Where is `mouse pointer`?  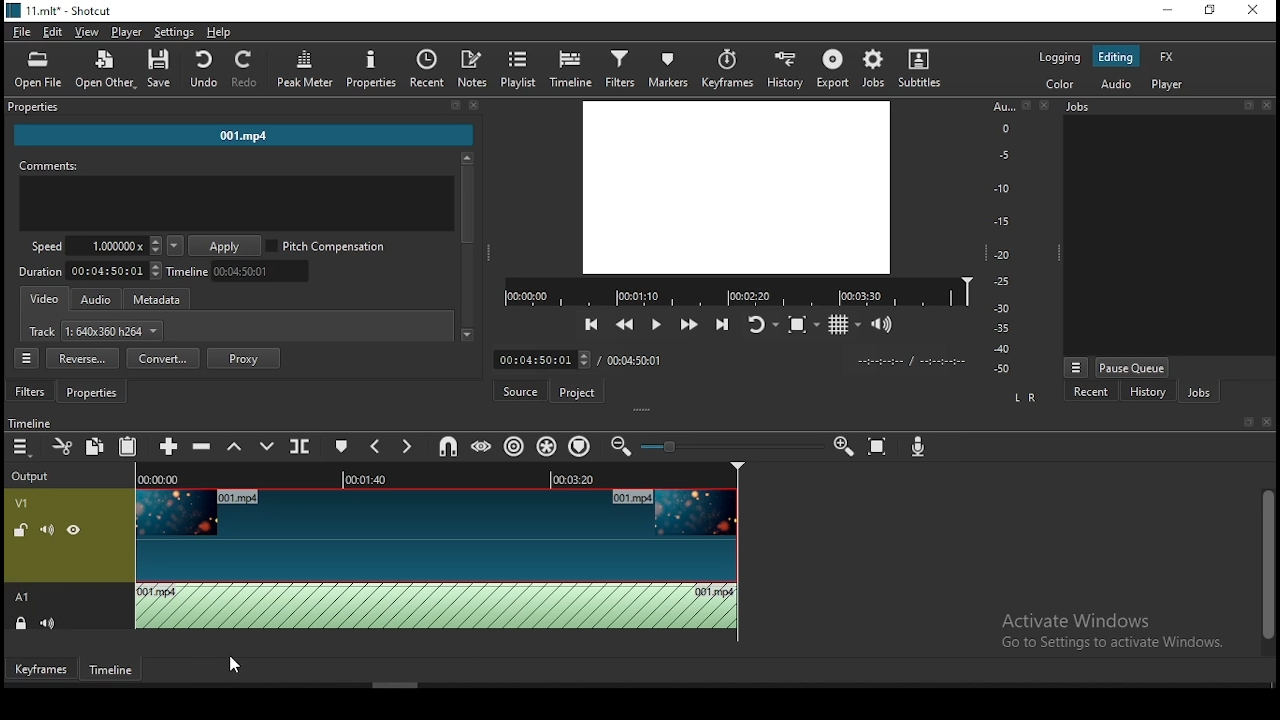
mouse pointer is located at coordinates (236, 666).